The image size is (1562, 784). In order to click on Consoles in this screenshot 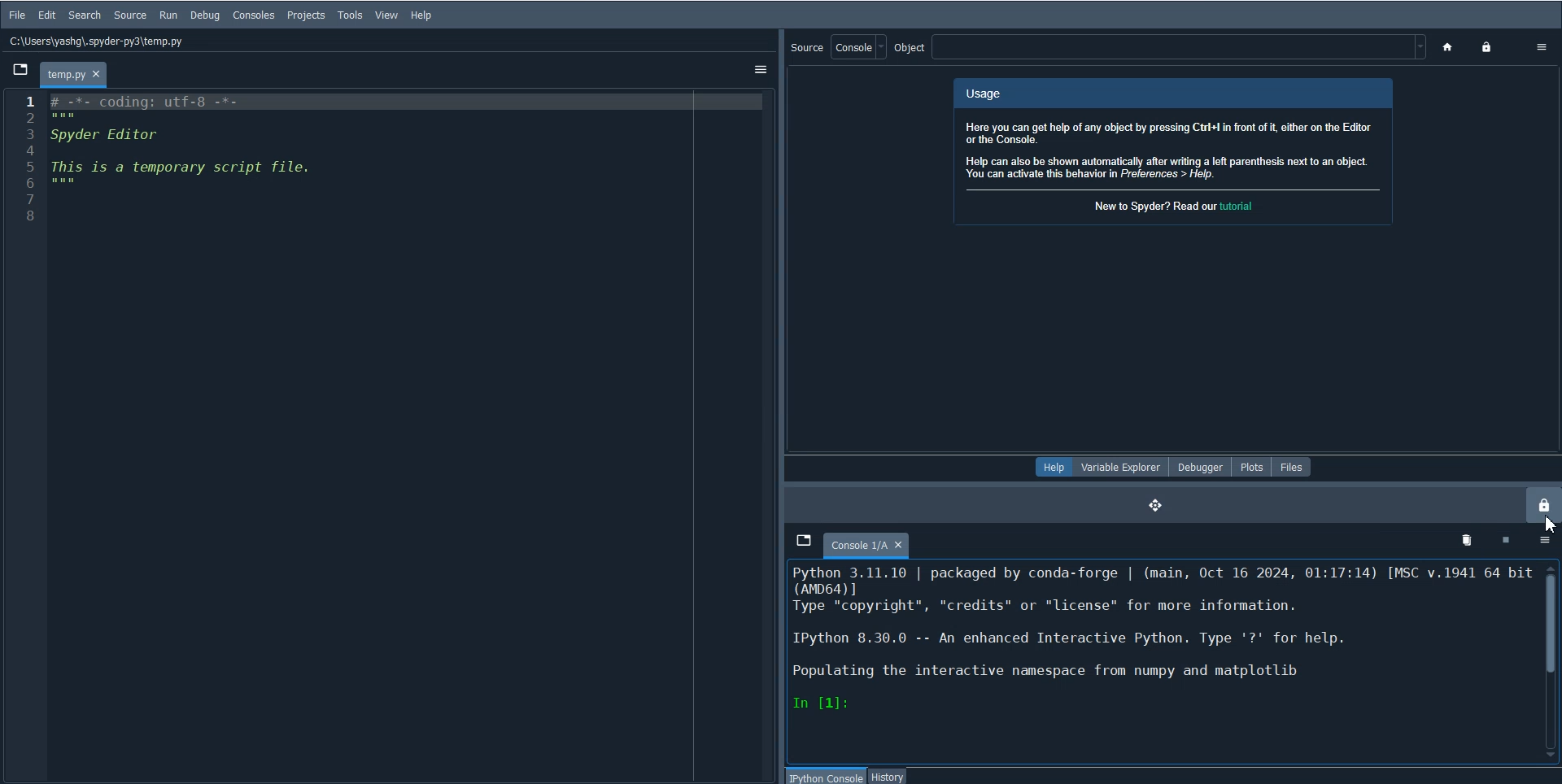, I will do `click(254, 15)`.